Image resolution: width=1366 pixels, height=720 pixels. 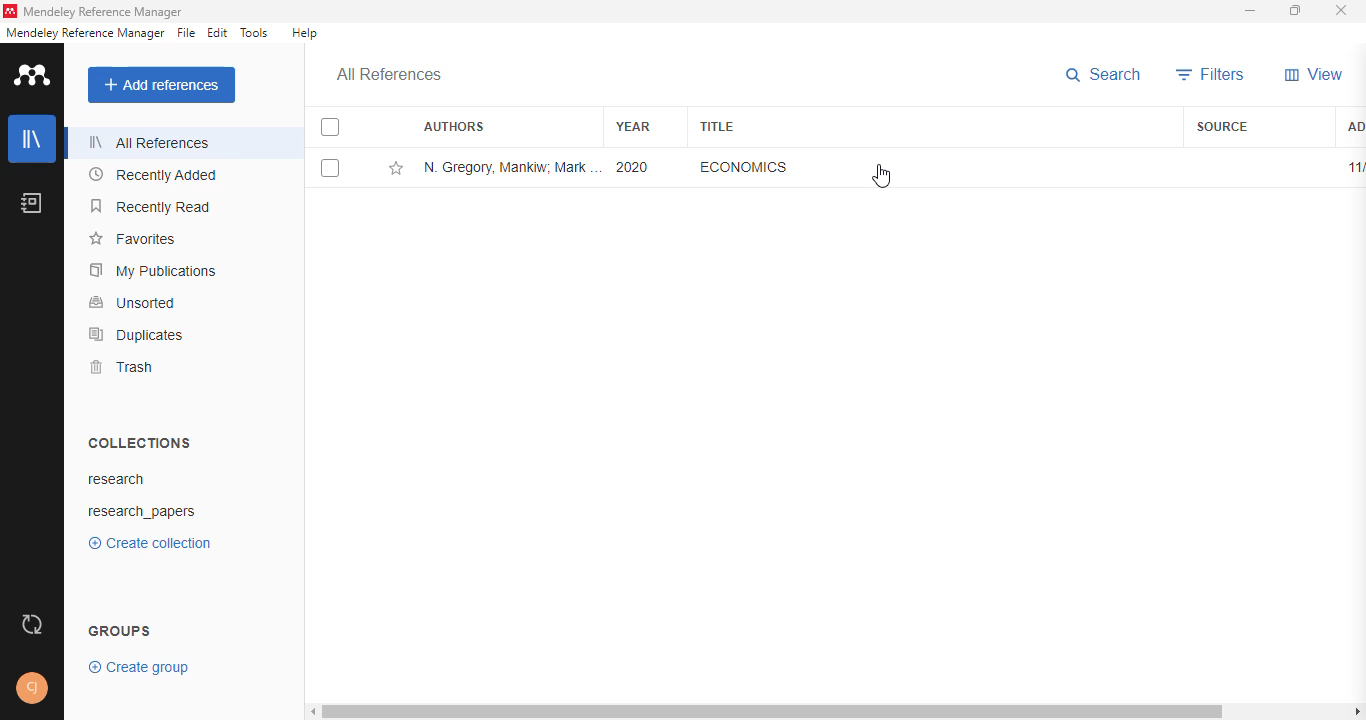 I want to click on source, so click(x=1223, y=127).